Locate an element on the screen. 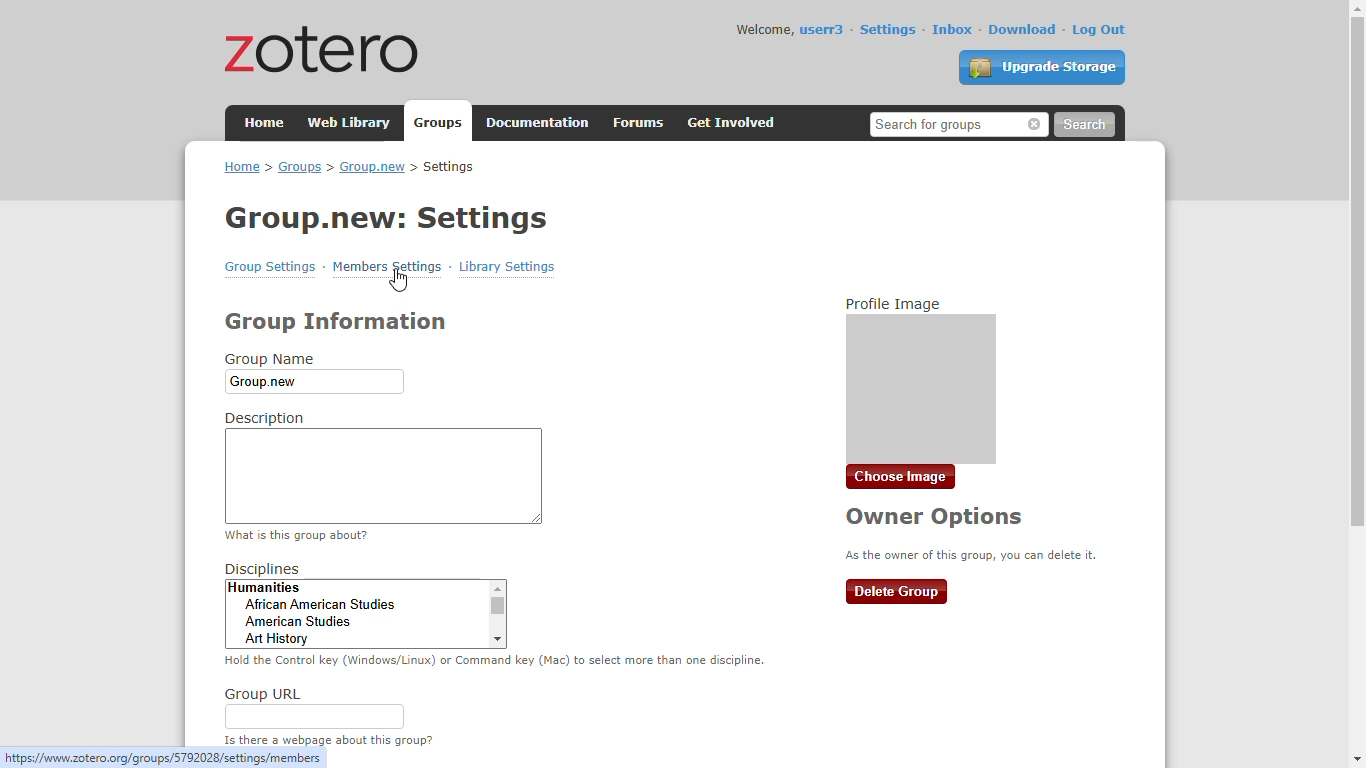 The width and height of the screenshot is (1366, 768). group.new: settings is located at coordinates (388, 218).